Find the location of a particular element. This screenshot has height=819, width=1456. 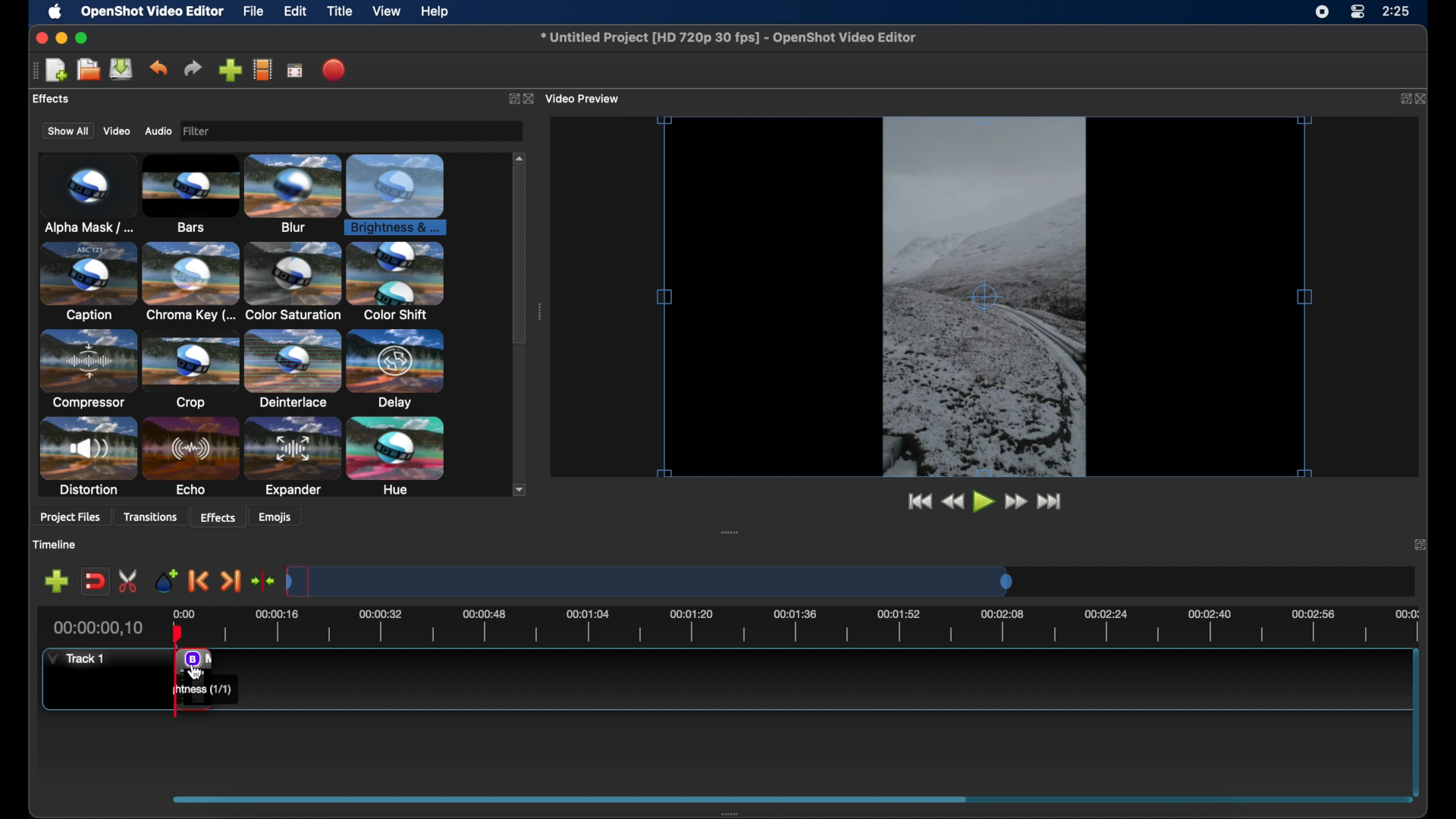

alpha mask is located at coordinates (86, 193).